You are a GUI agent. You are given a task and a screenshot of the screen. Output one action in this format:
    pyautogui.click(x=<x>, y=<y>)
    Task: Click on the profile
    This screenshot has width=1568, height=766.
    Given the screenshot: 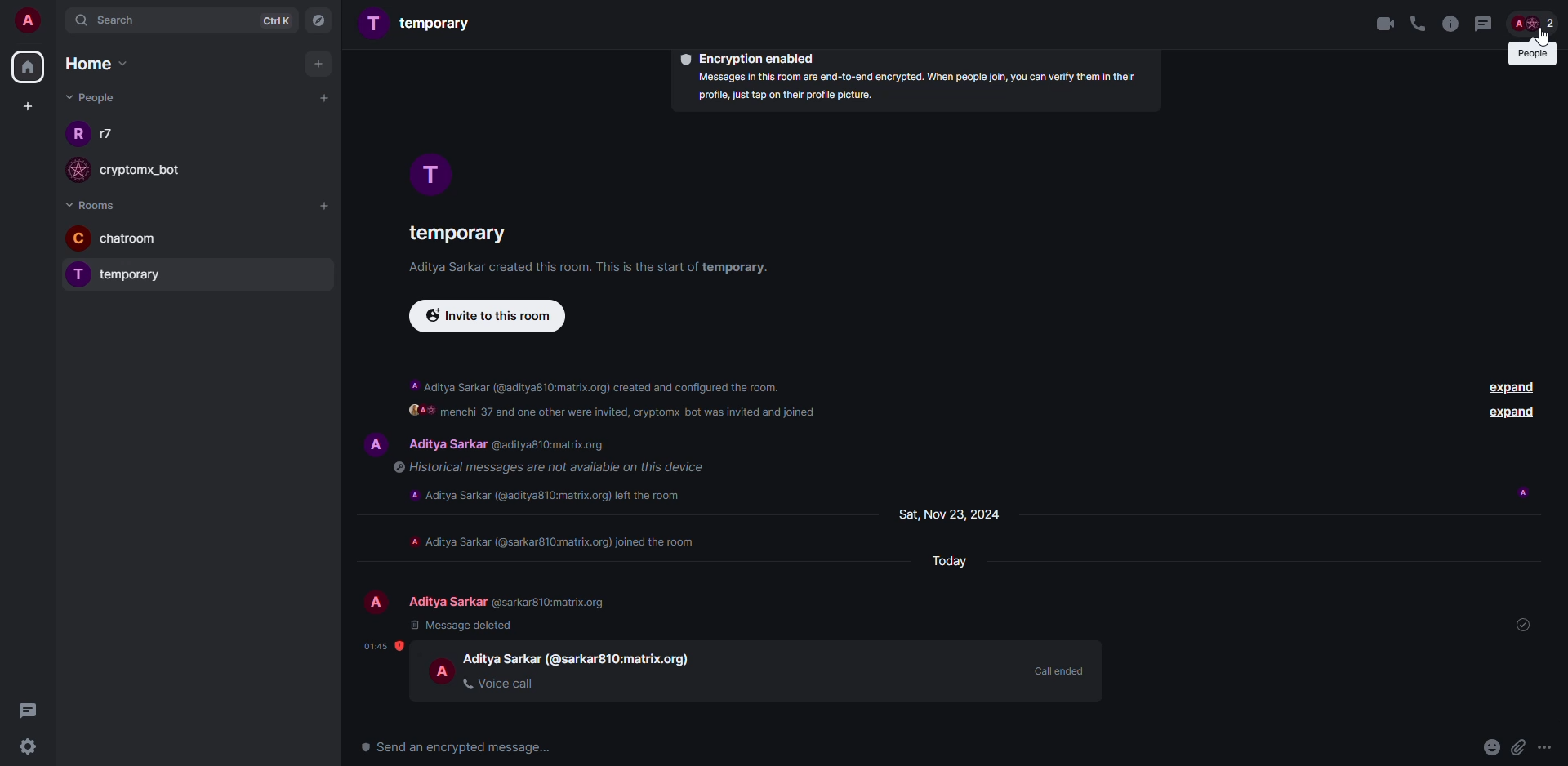 What is the action you would take?
    pyautogui.click(x=373, y=442)
    